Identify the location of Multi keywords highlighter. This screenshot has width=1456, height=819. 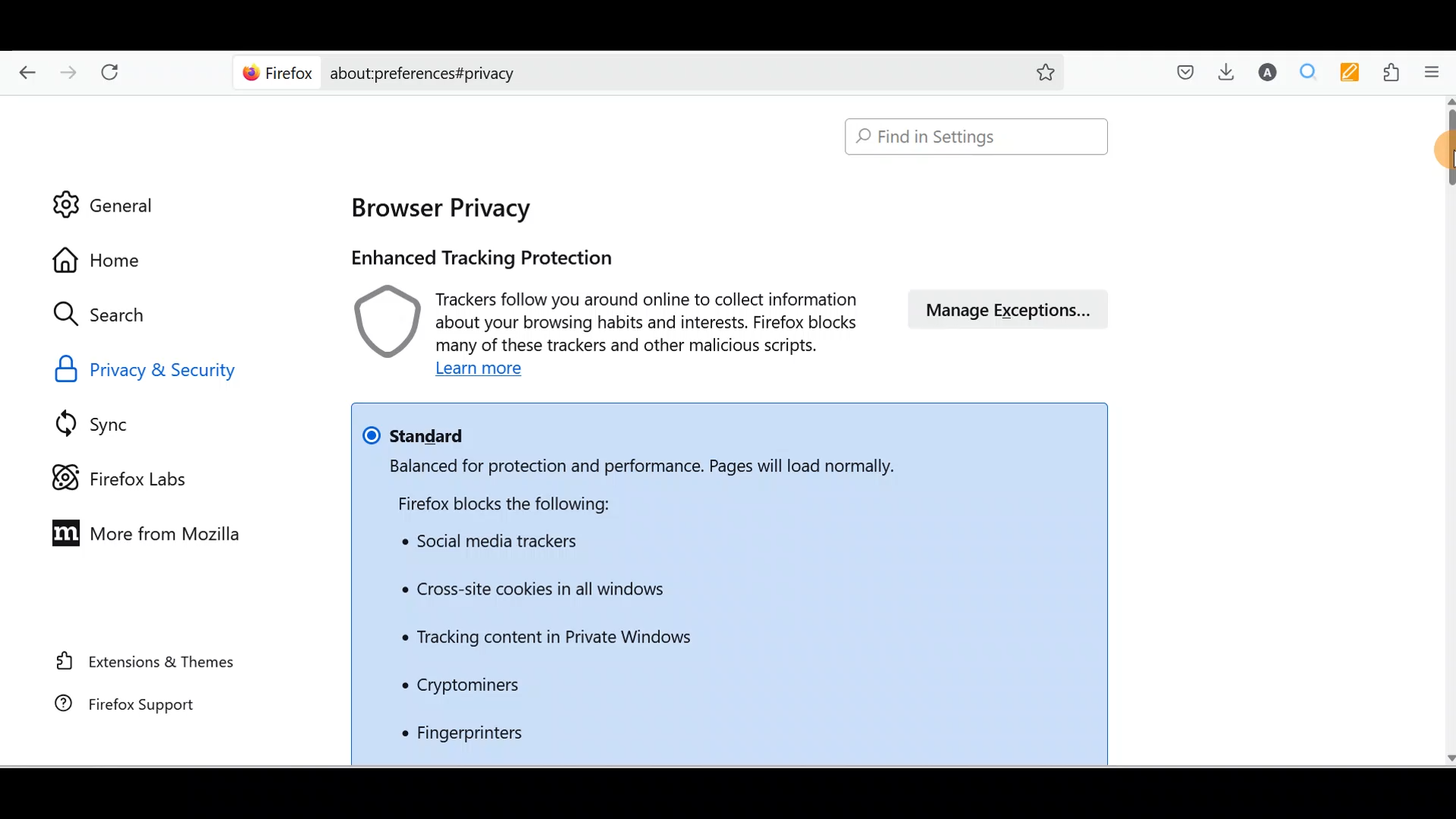
(1349, 73).